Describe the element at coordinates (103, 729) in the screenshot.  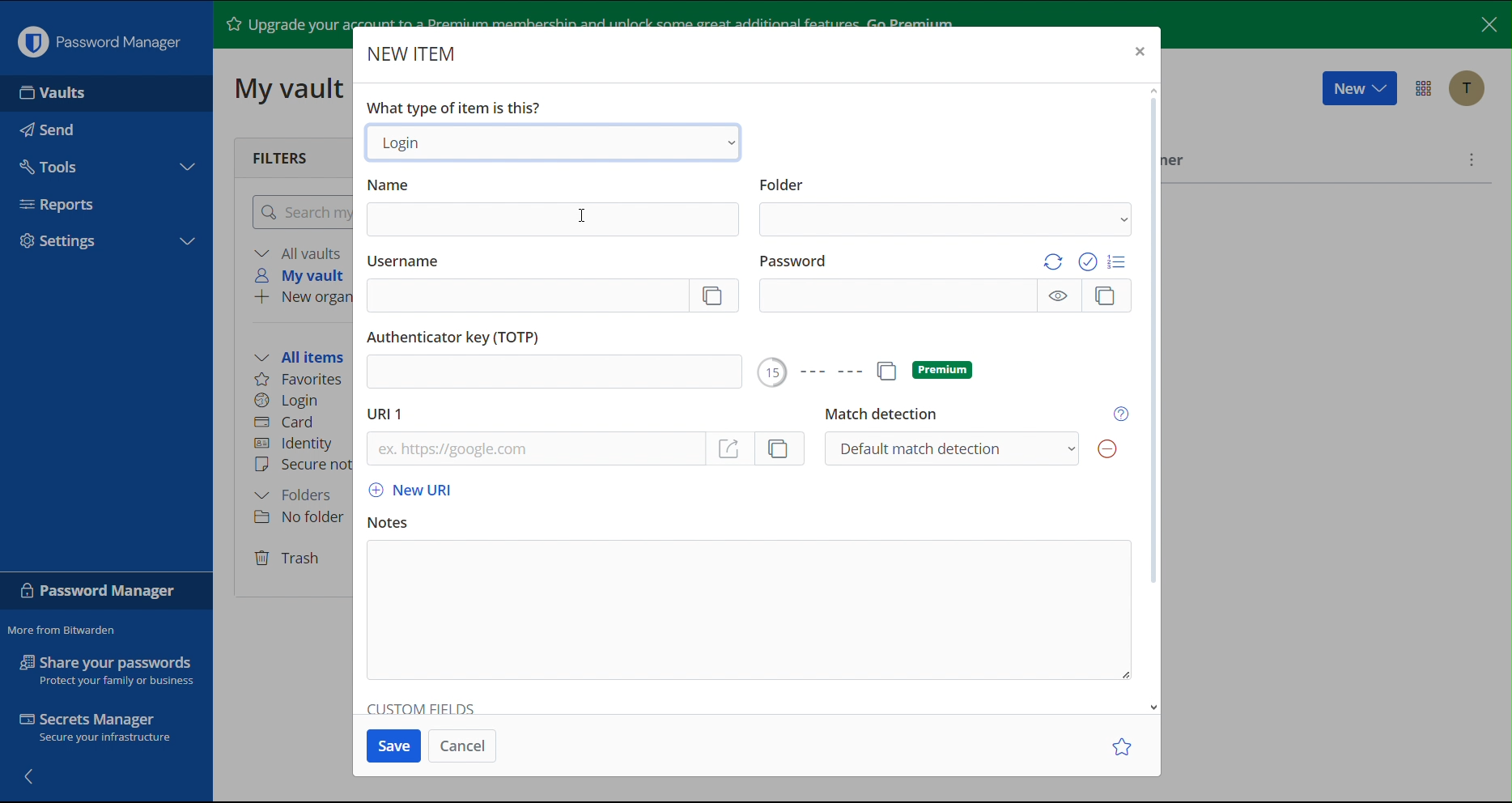
I see `Secrets Manager` at that location.